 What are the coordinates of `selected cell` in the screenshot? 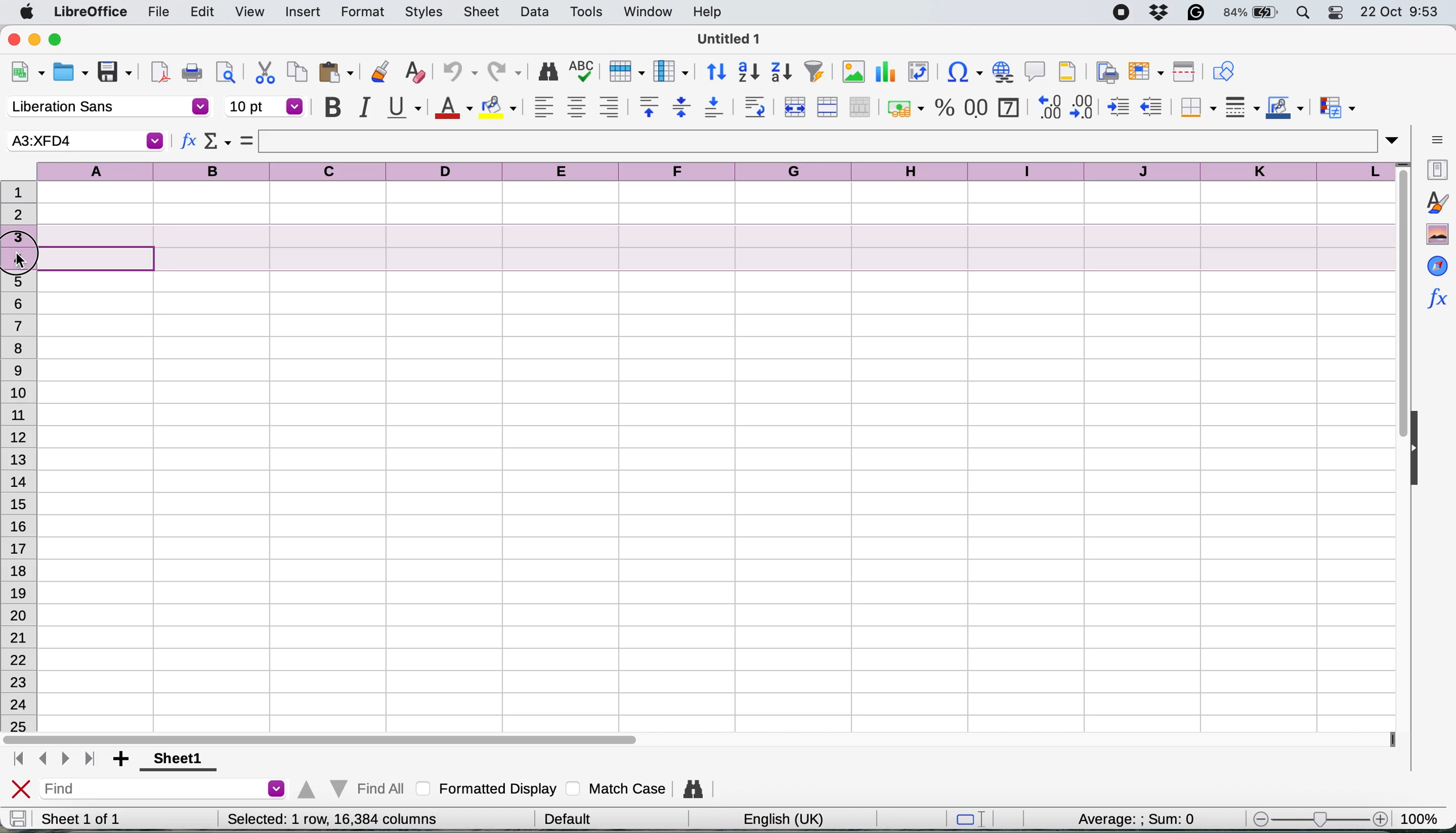 It's located at (84, 141).